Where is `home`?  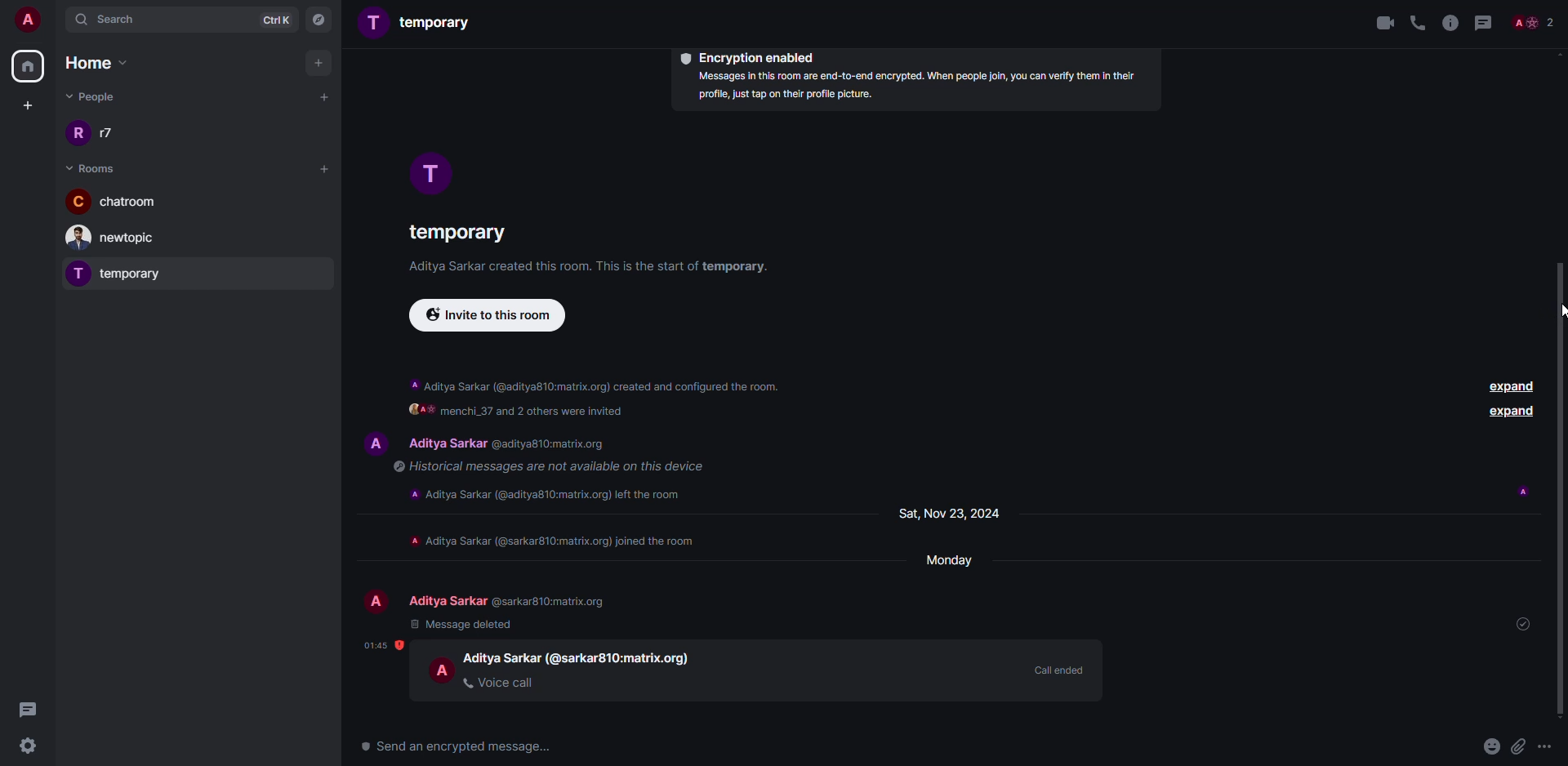
home is located at coordinates (100, 62).